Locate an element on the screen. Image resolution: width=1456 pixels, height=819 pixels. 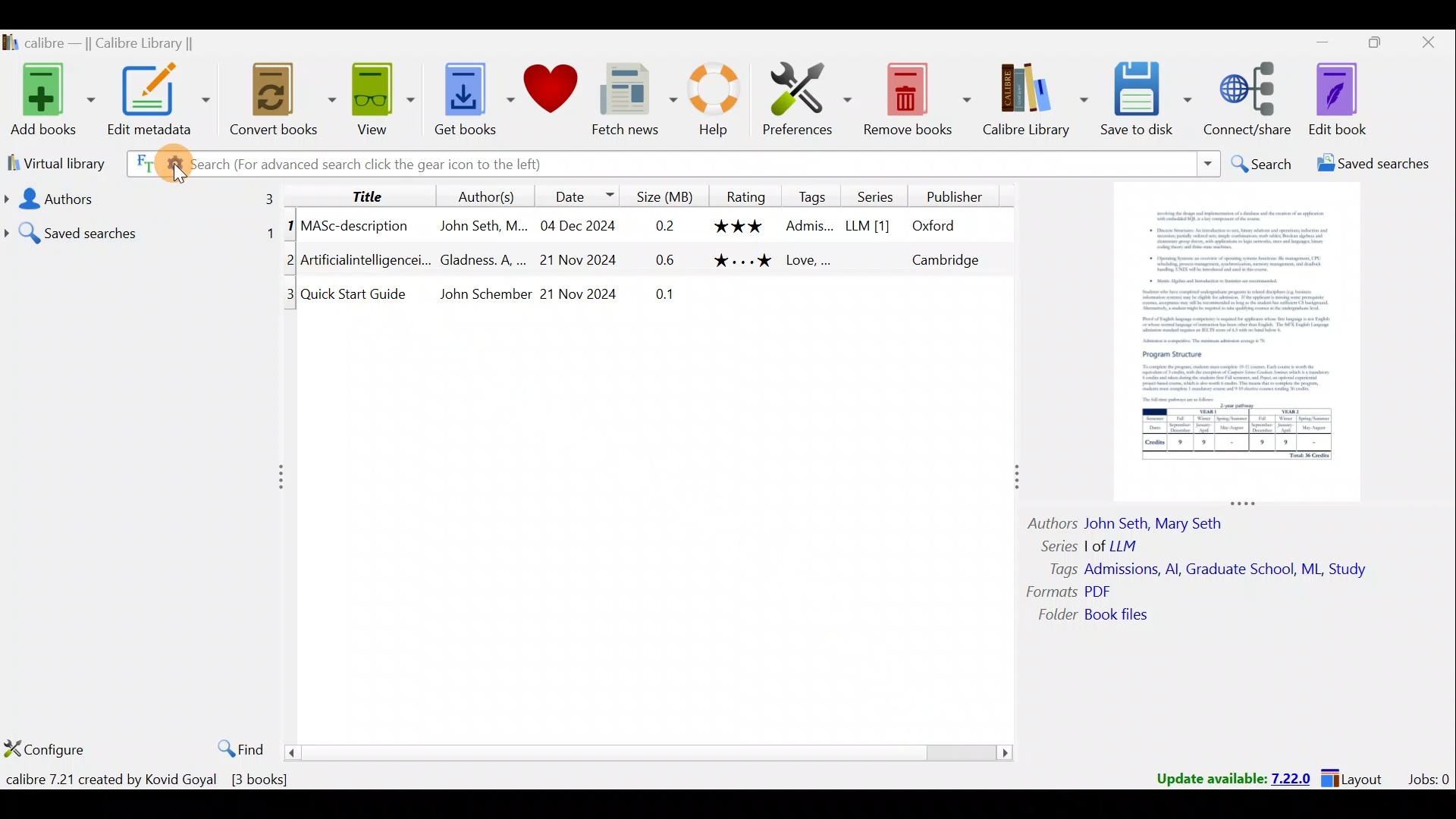
Love, ... is located at coordinates (810, 262).